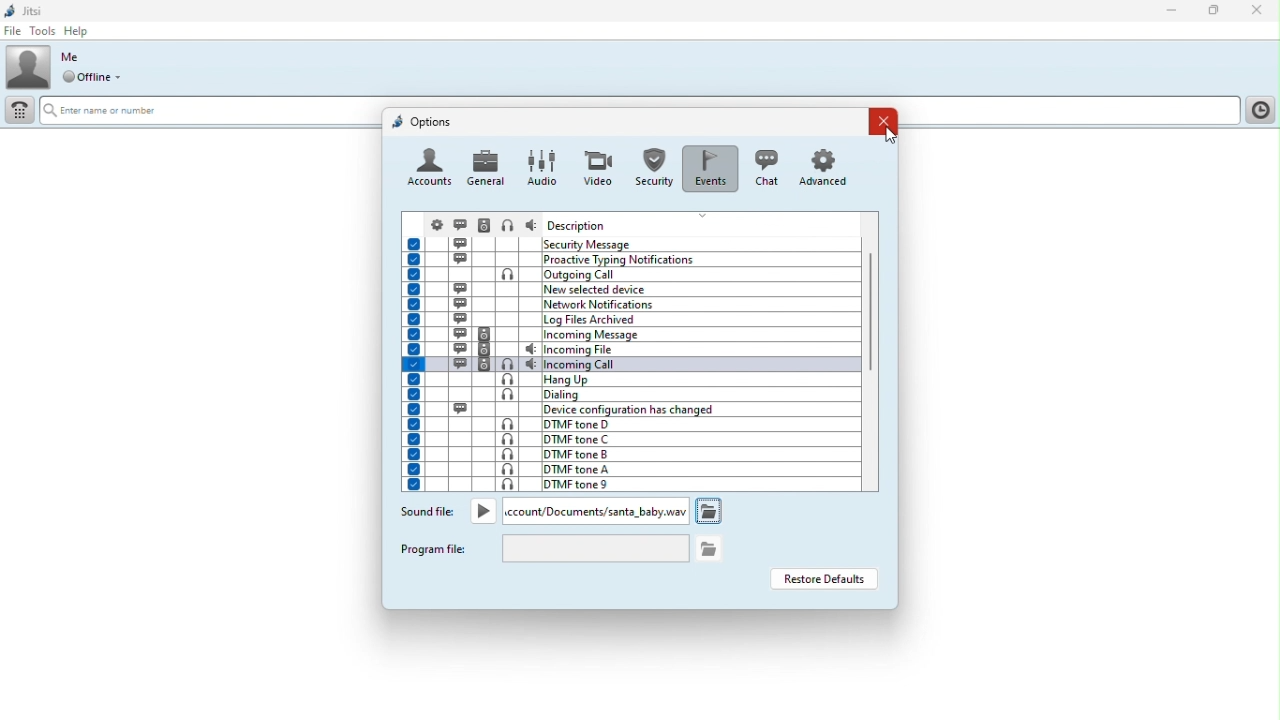  What do you see at coordinates (1257, 11) in the screenshot?
I see `Close` at bounding box center [1257, 11].